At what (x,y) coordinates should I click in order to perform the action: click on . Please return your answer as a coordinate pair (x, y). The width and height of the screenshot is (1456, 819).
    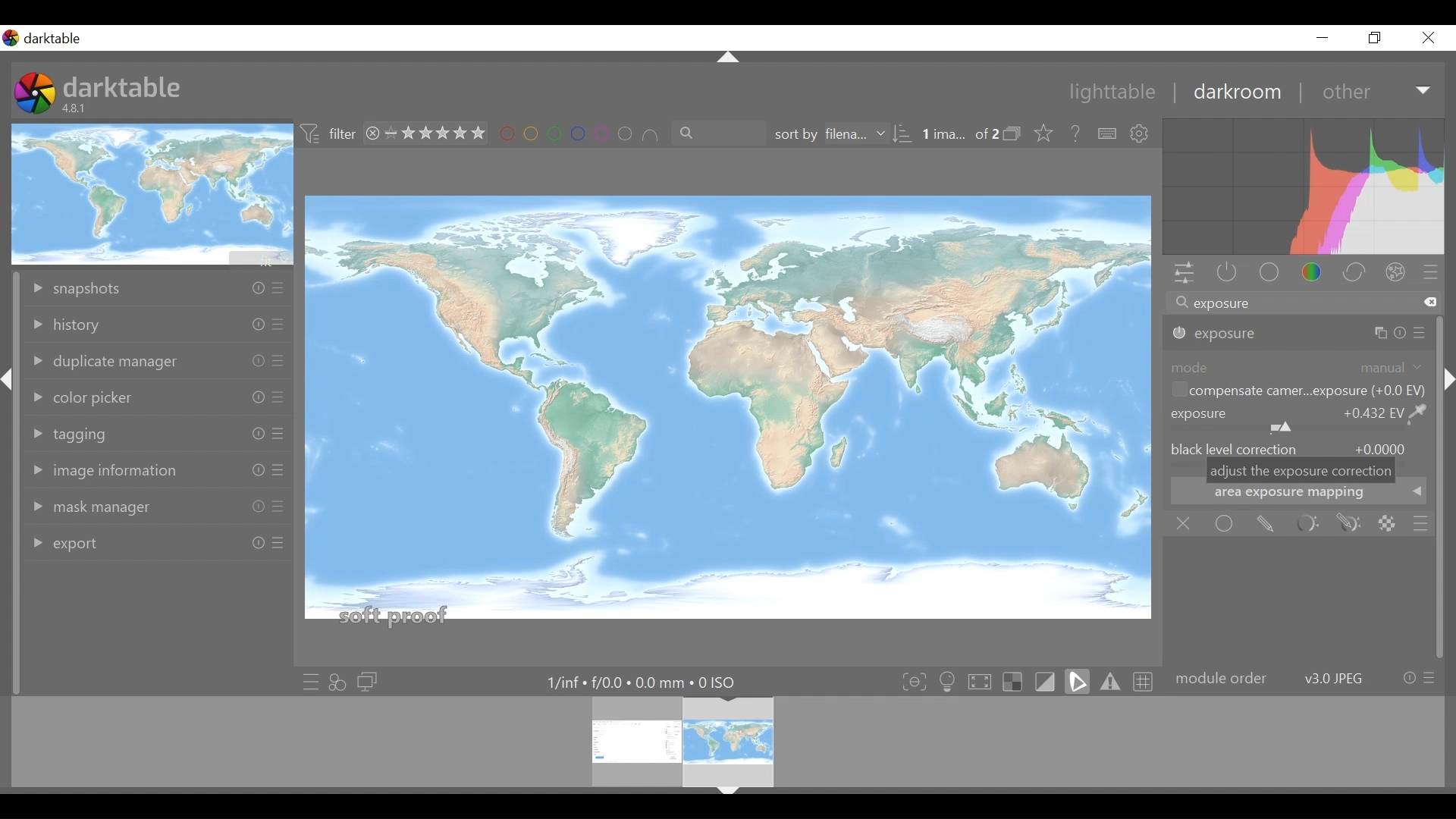
    Looking at the image, I should click on (723, 60).